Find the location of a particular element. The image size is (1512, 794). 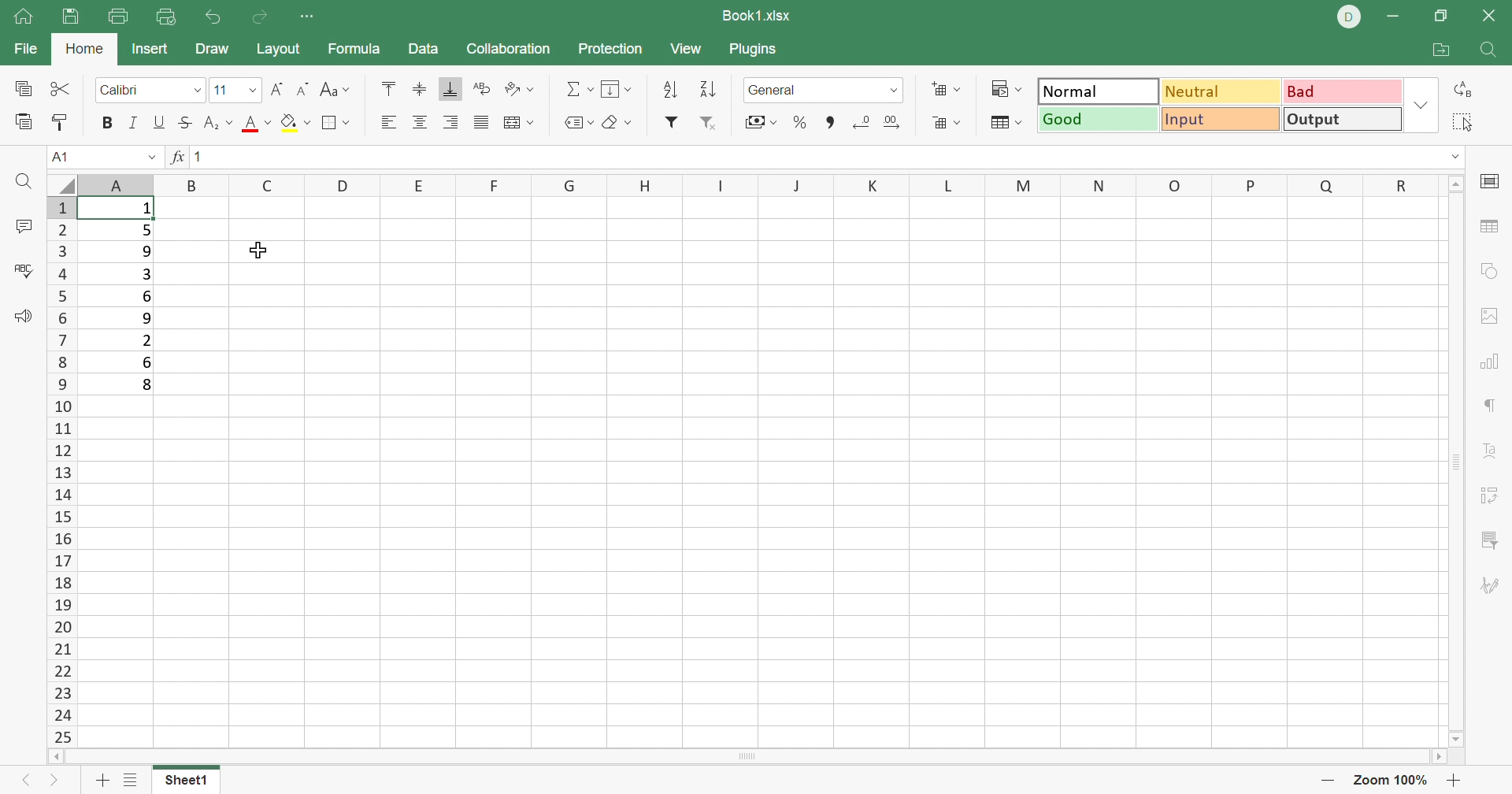

Superscript / subscript is located at coordinates (215, 124).